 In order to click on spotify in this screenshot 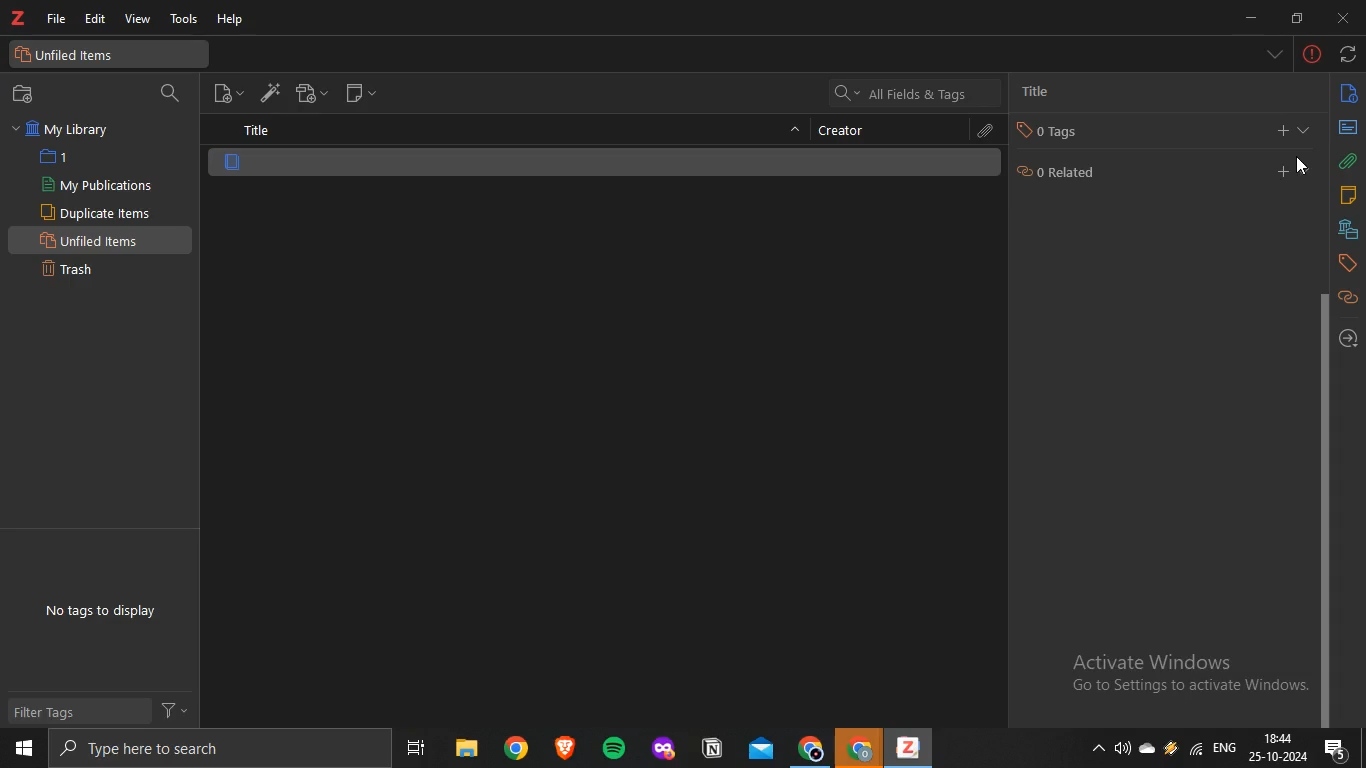, I will do `click(614, 746)`.